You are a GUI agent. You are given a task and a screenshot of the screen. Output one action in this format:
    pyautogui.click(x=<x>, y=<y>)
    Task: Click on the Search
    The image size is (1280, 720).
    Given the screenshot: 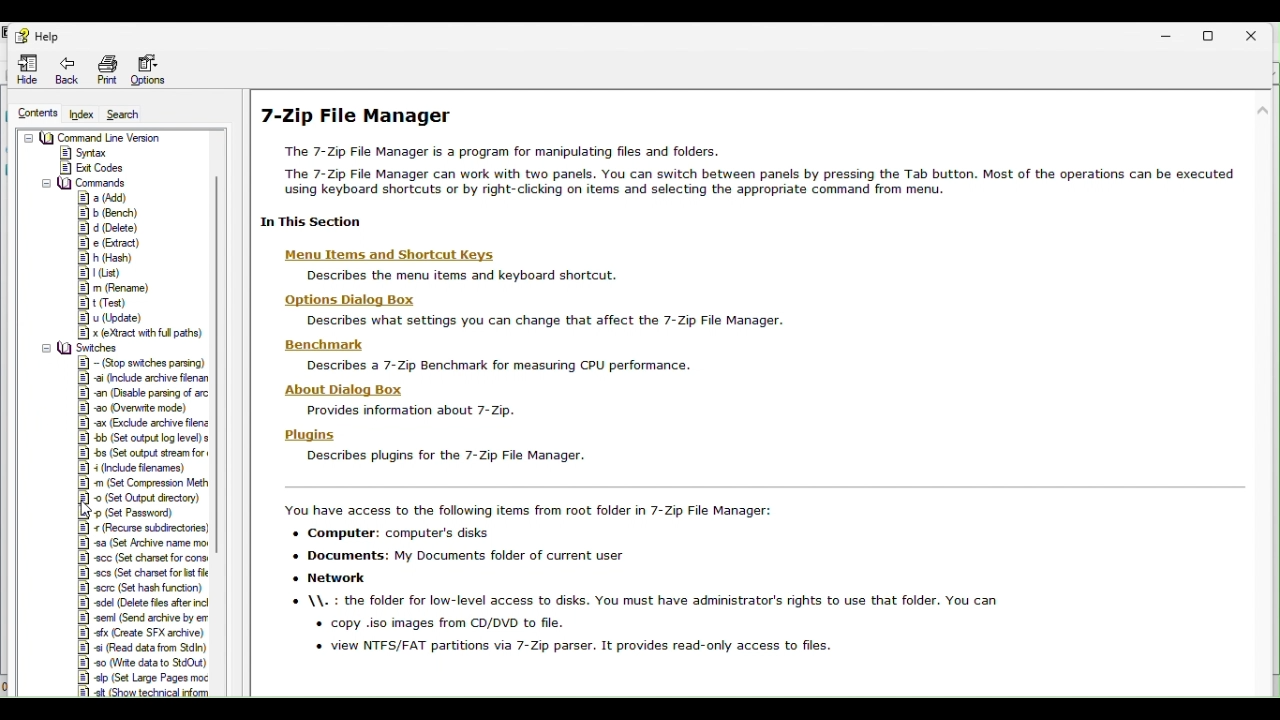 What is the action you would take?
    pyautogui.click(x=132, y=113)
    